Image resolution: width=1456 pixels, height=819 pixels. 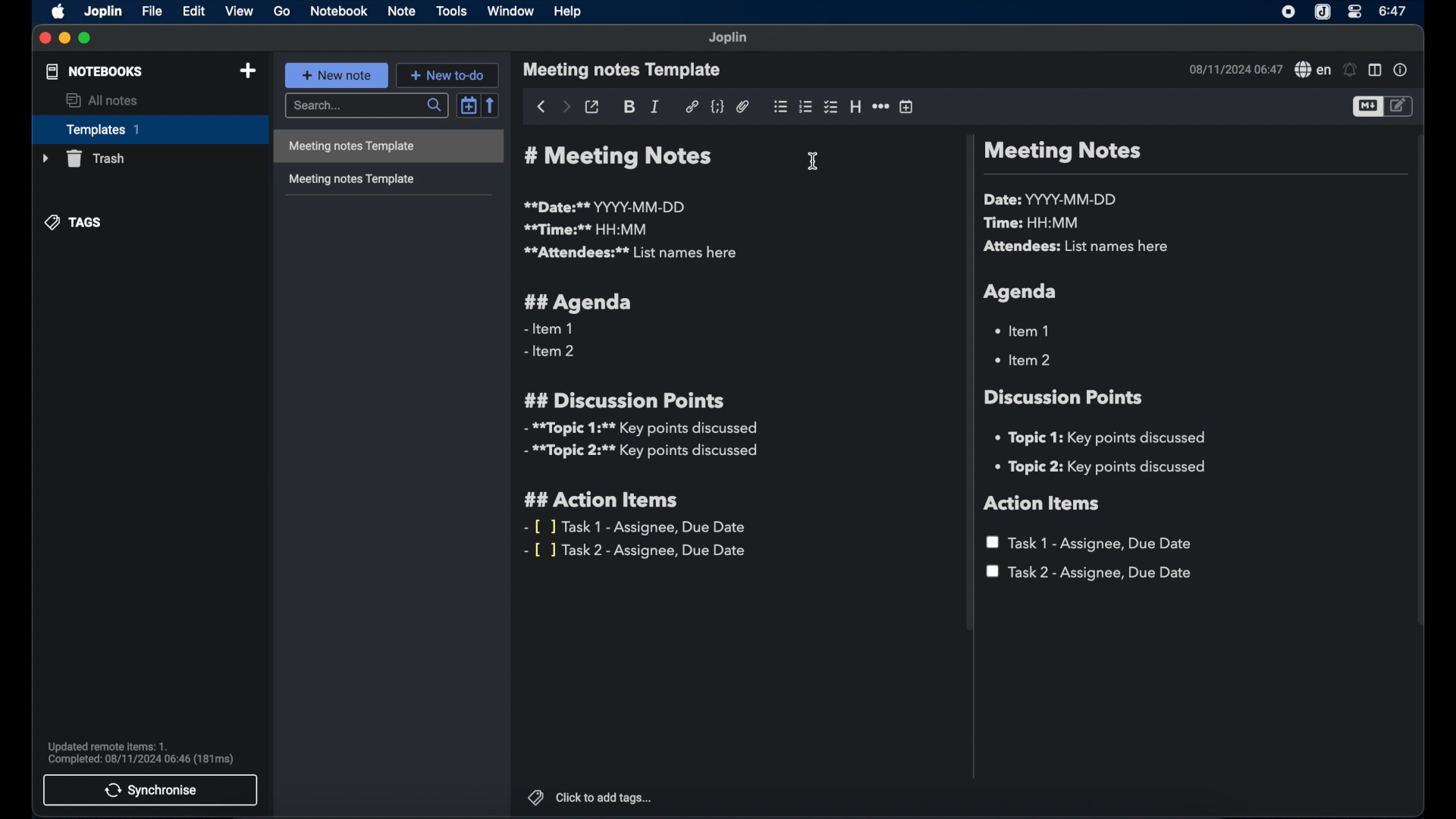 What do you see at coordinates (1349, 70) in the screenshot?
I see `set alarm` at bounding box center [1349, 70].